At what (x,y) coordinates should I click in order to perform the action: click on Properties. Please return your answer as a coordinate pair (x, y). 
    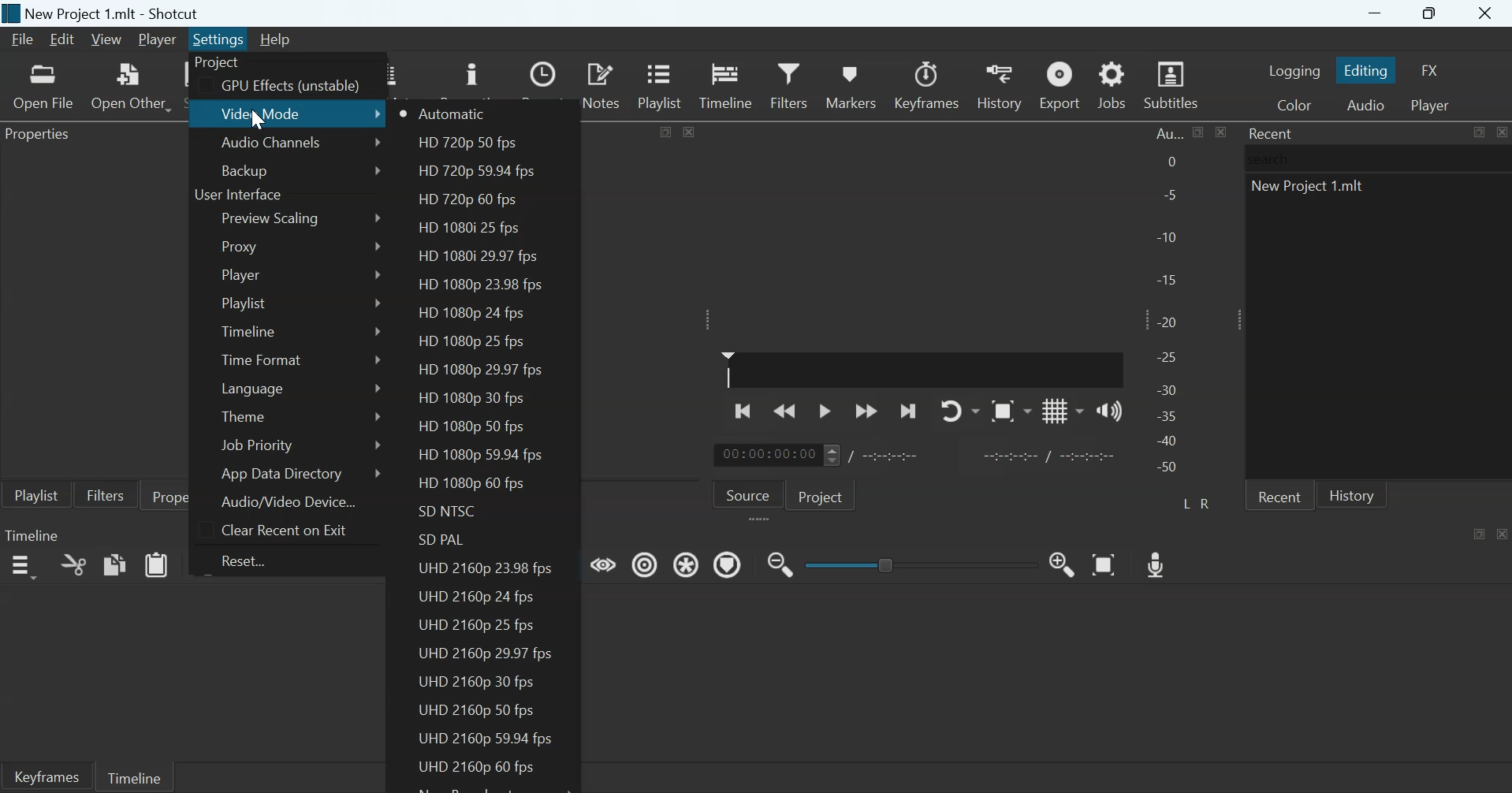
    Looking at the image, I should click on (185, 495).